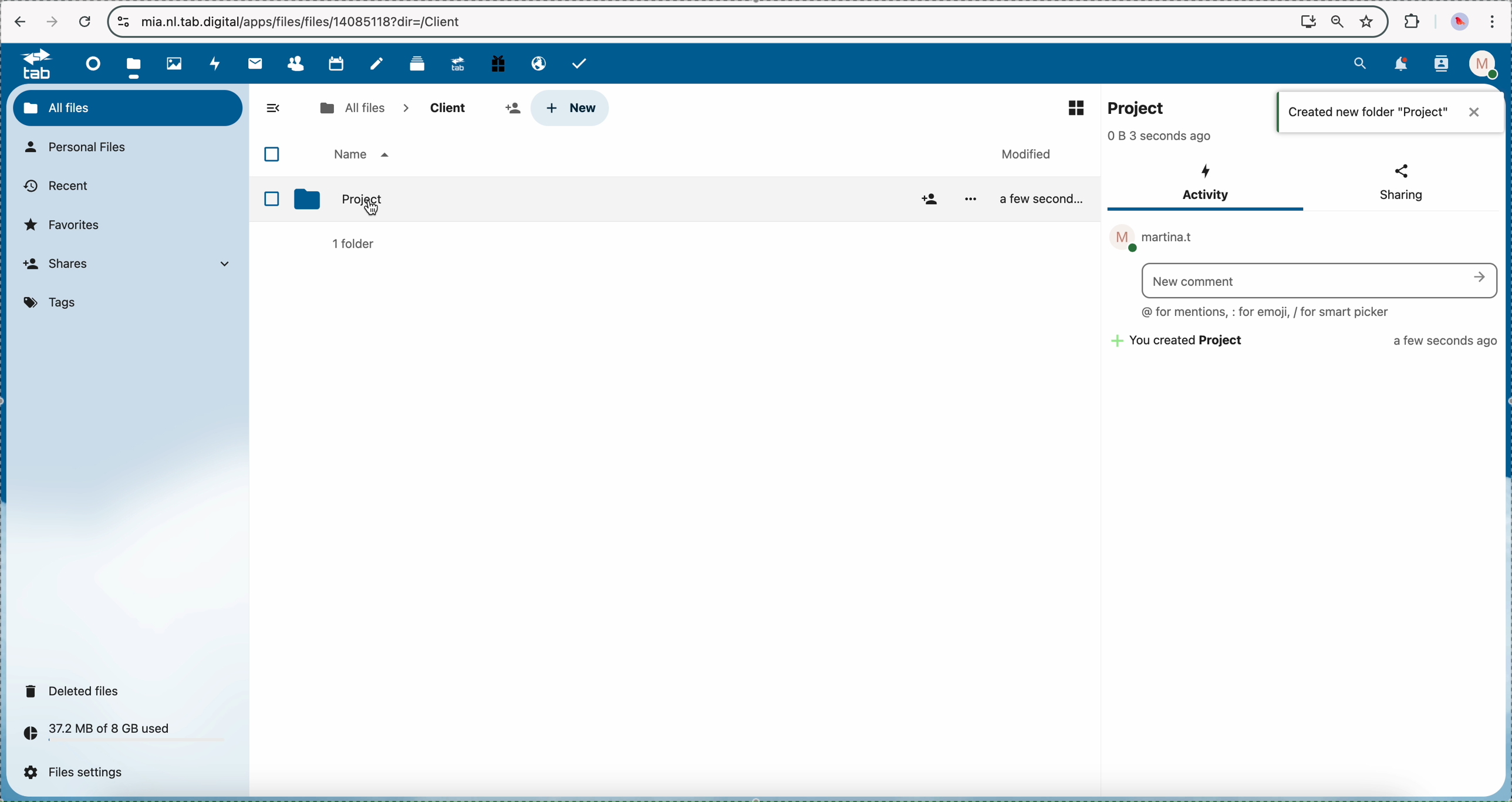 Image resolution: width=1512 pixels, height=802 pixels. Describe the element at coordinates (124, 22) in the screenshot. I see `controls` at that location.